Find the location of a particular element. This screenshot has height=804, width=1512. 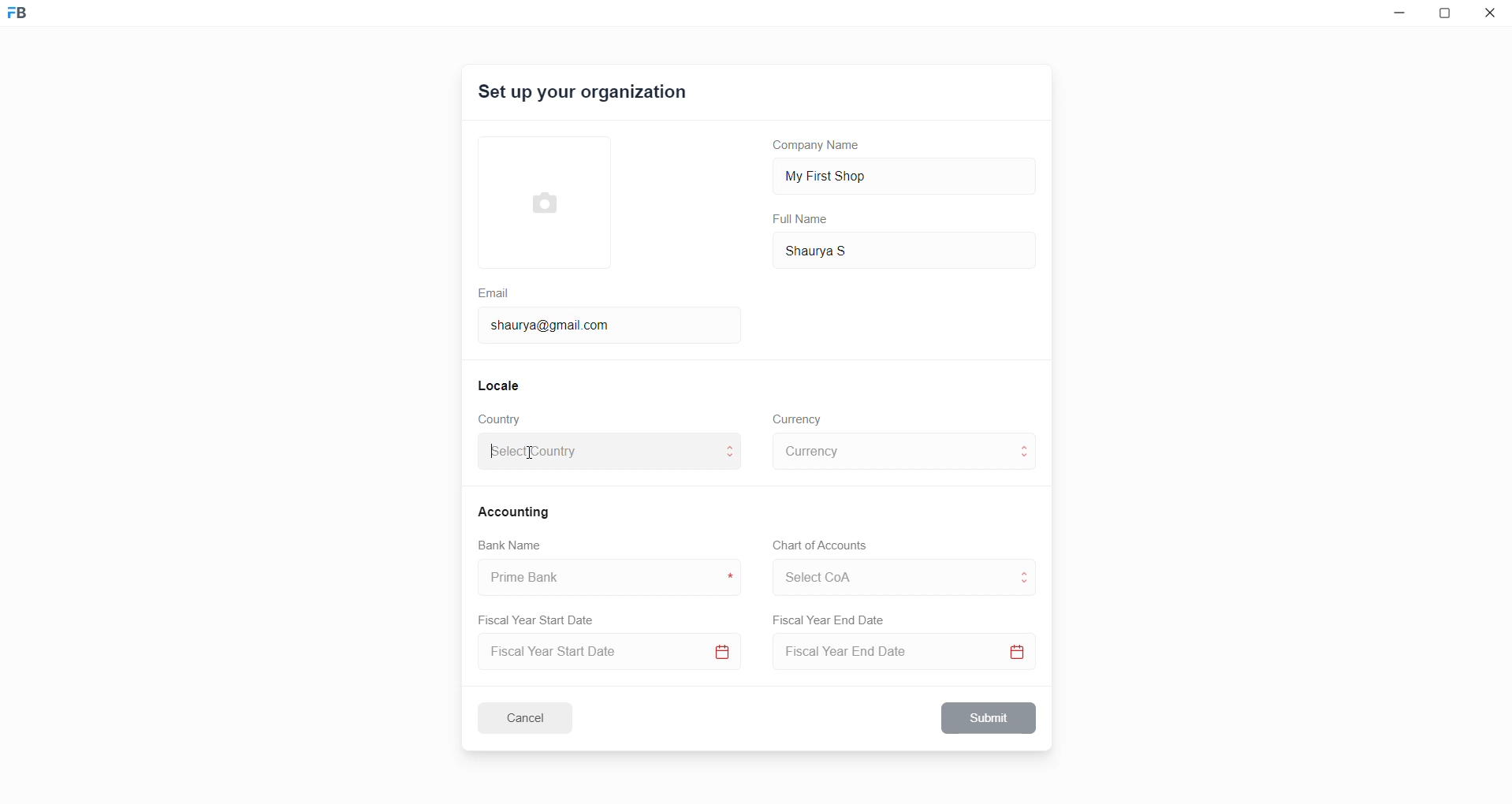

move to below currency is located at coordinates (1028, 460).